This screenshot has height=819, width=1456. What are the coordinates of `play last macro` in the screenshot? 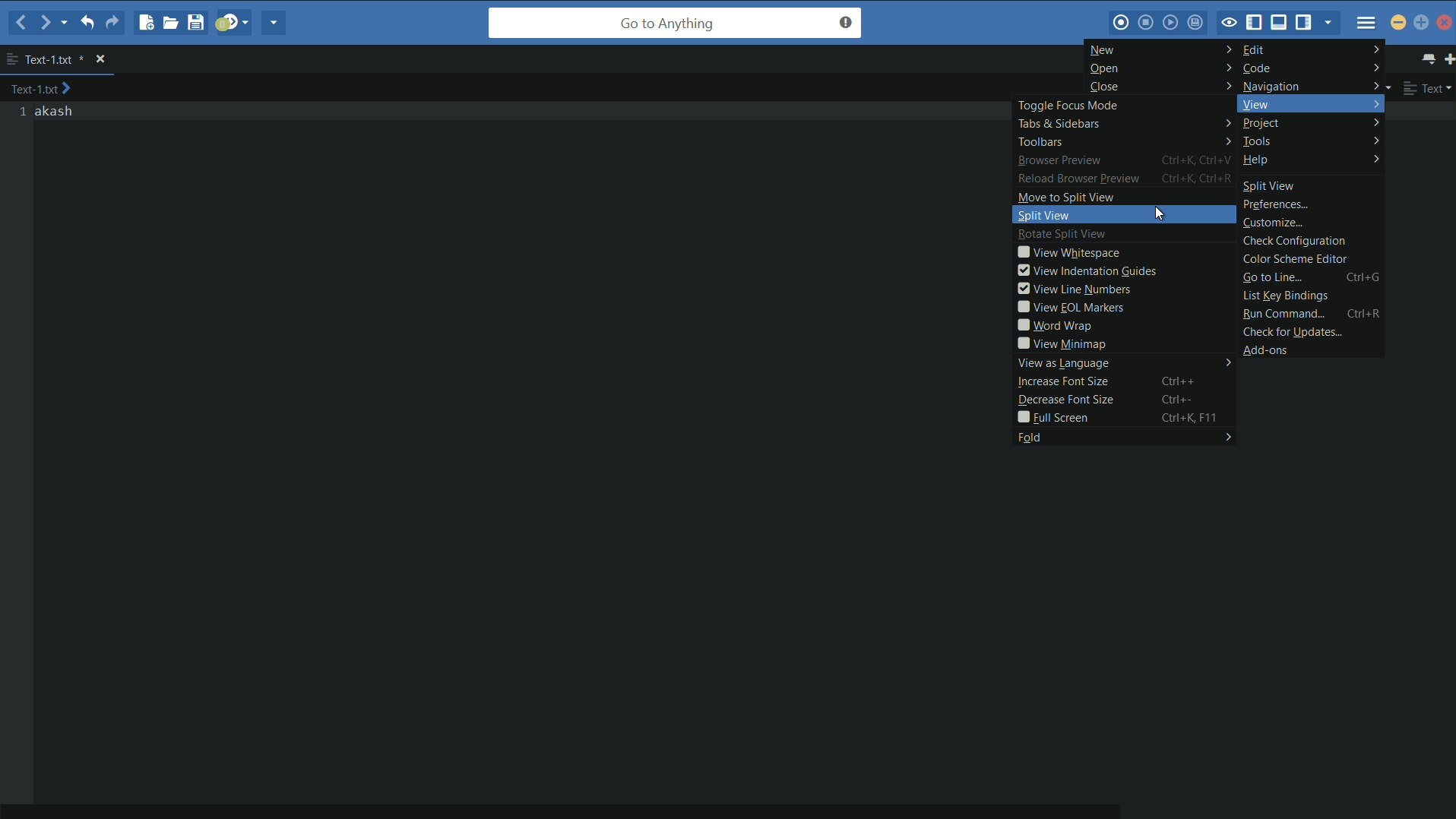 It's located at (1173, 22).